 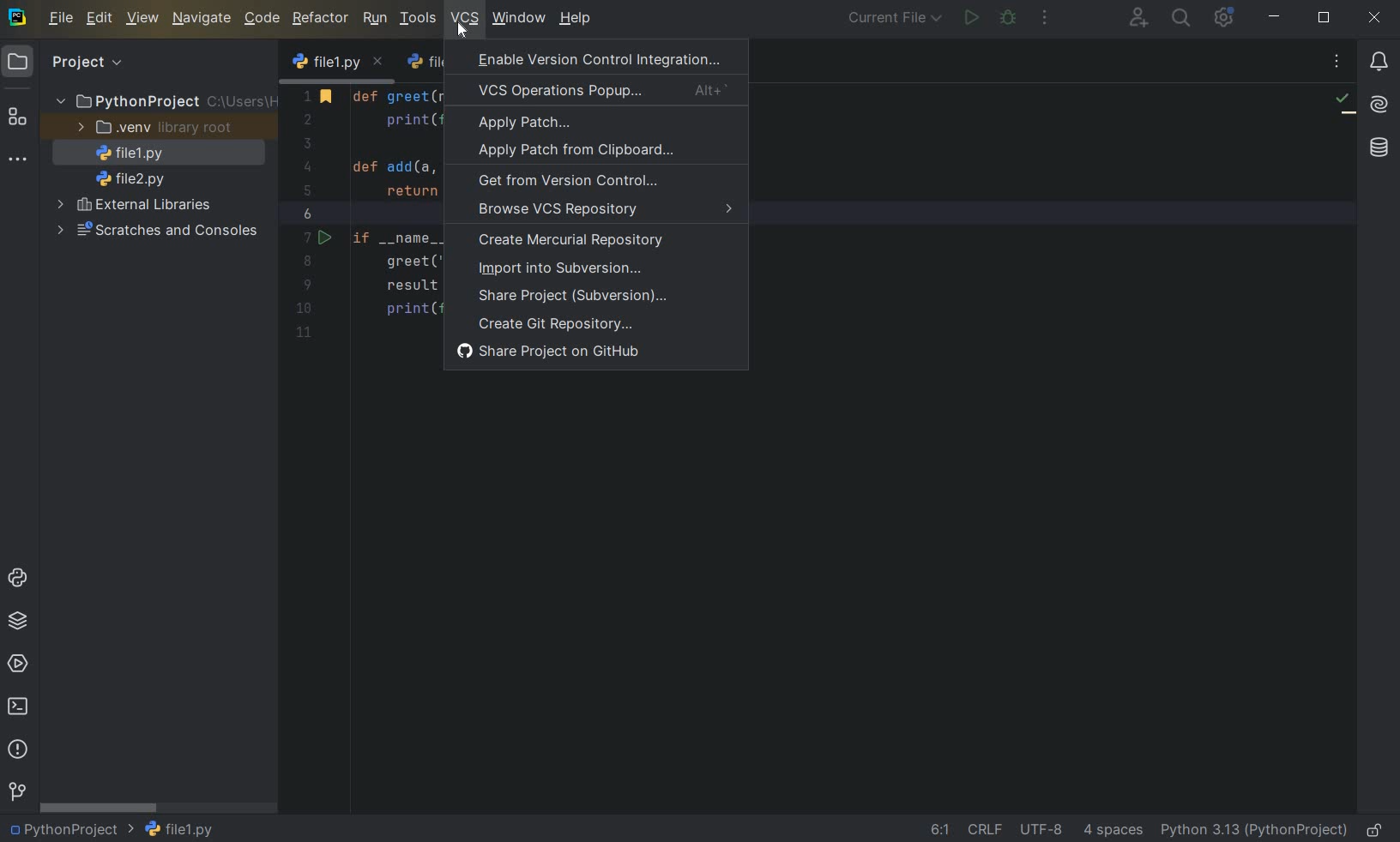 I want to click on help, so click(x=576, y=19).